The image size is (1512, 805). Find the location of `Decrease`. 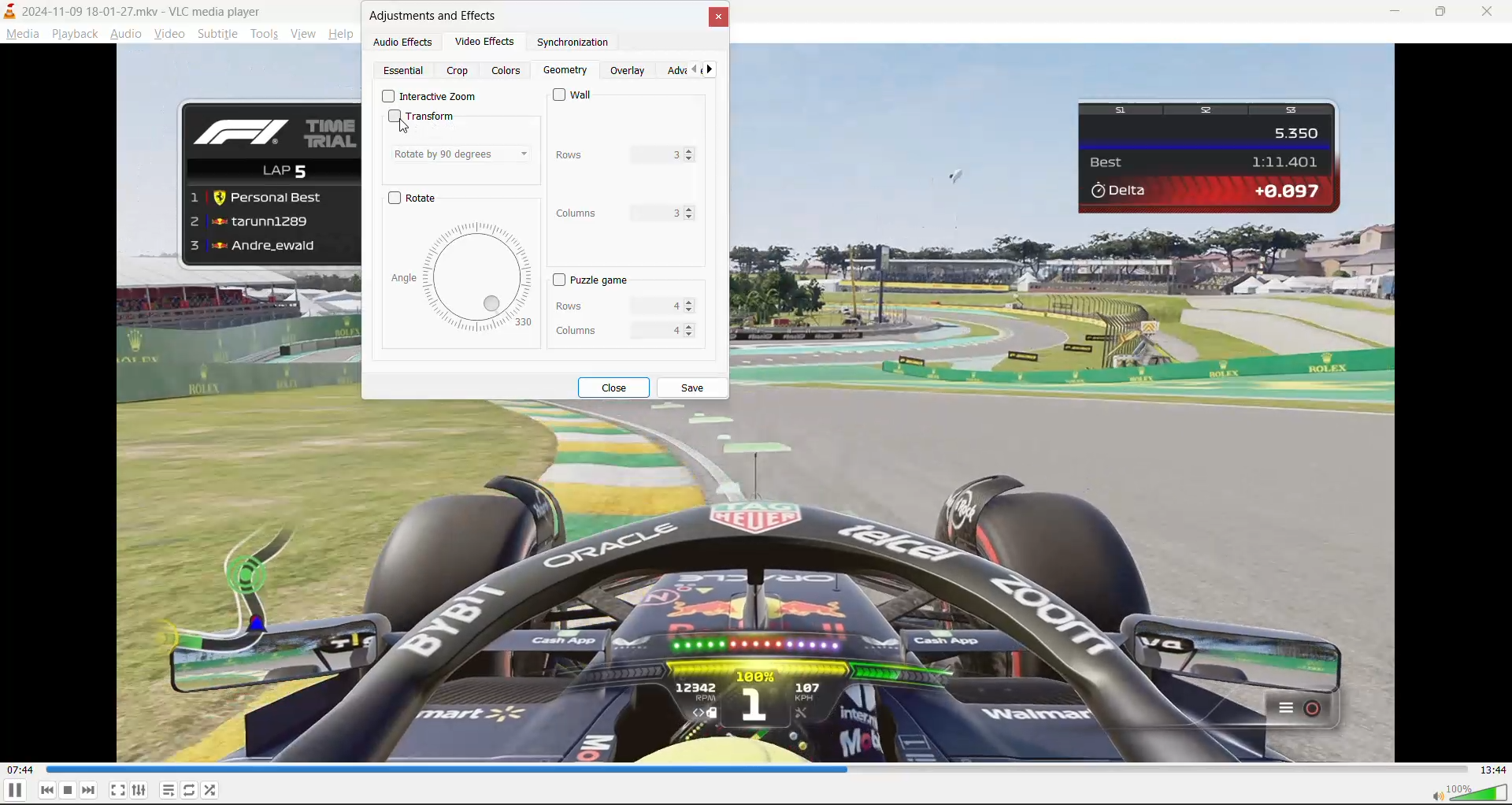

Decrease is located at coordinates (691, 218).